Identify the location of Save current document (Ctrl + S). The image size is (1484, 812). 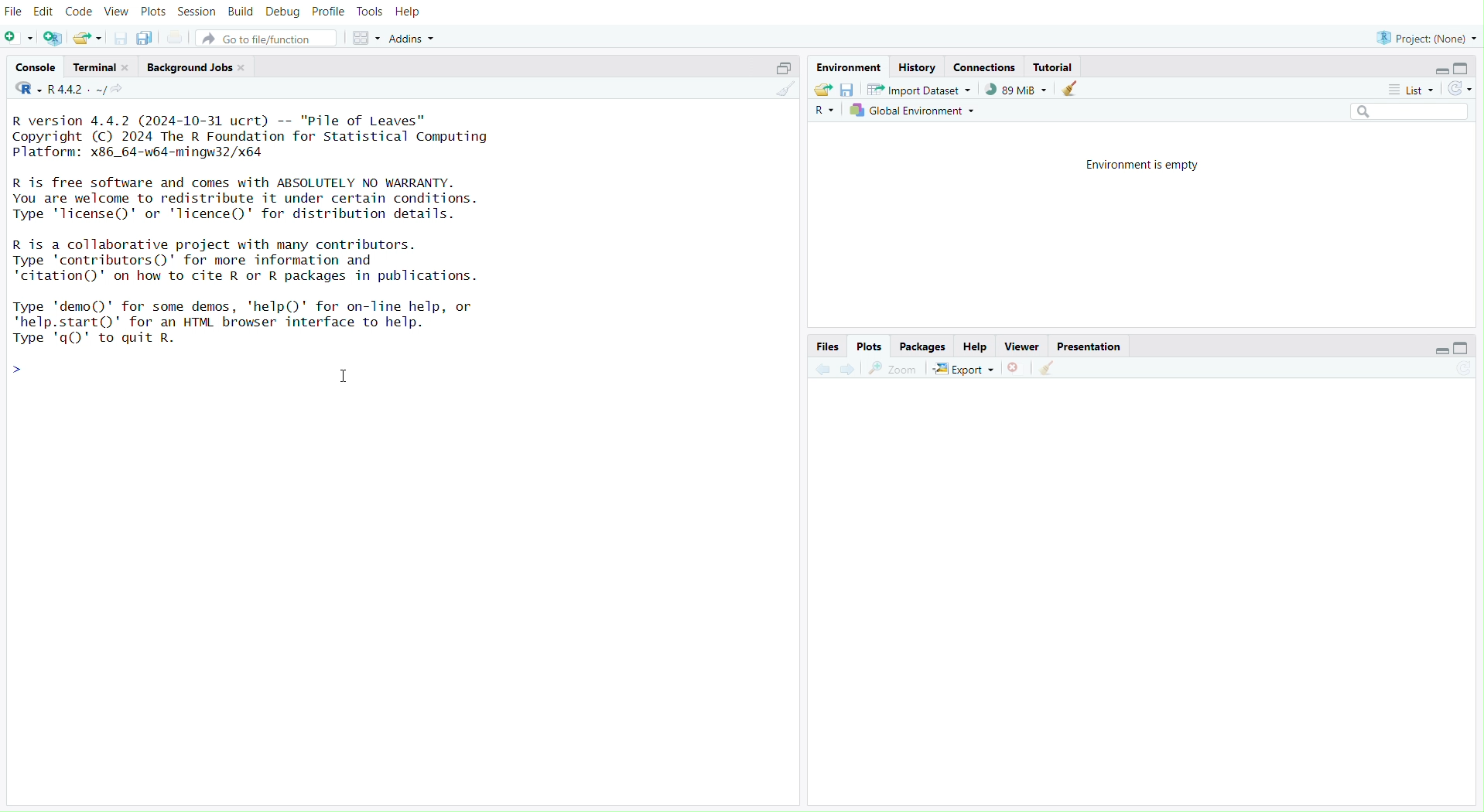
(122, 37).